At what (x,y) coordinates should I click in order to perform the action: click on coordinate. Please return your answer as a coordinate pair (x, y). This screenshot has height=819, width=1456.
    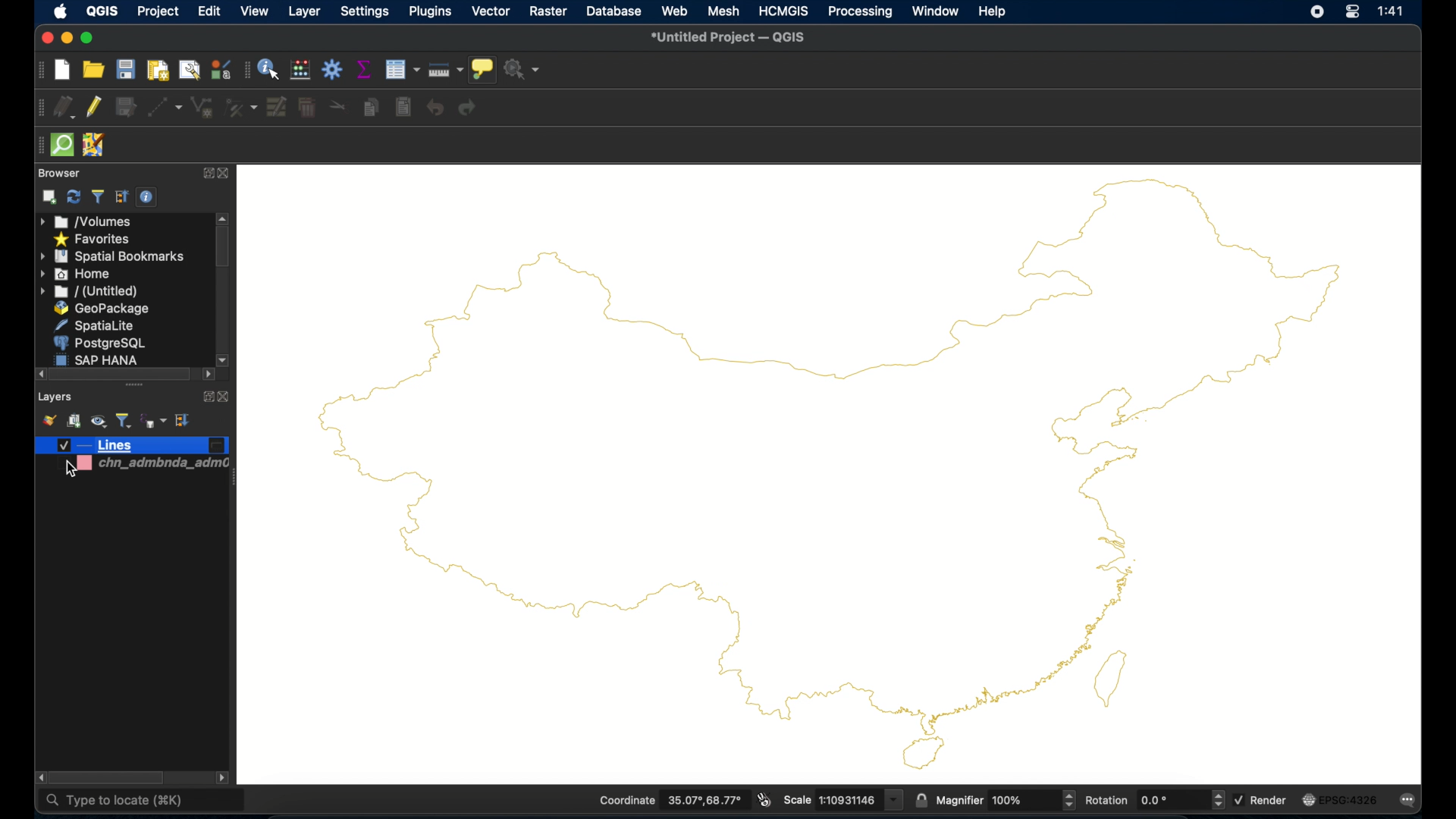
    Looking at the image, I should click on (670, 800).